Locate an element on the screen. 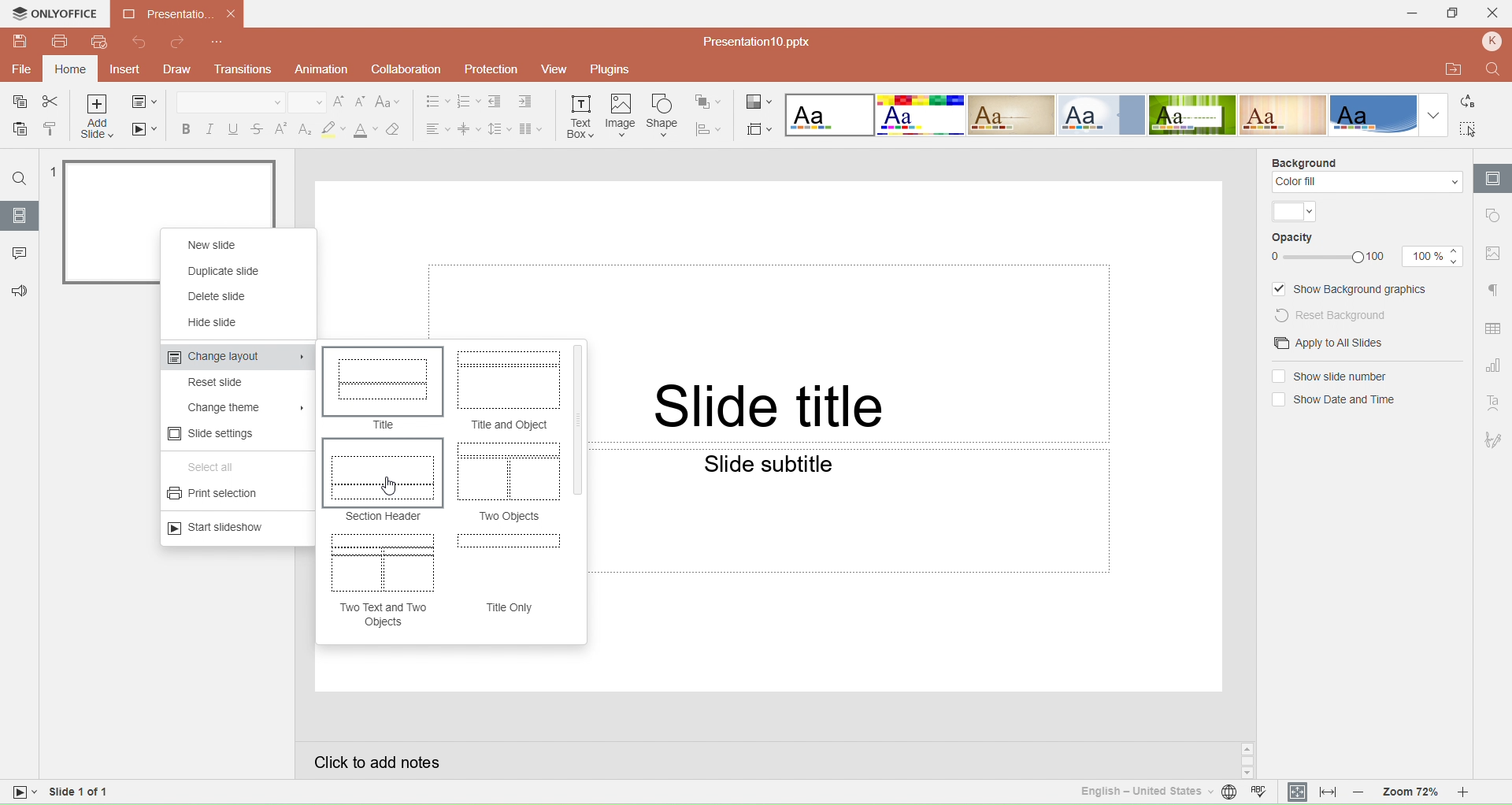 The image size is (1512, 805). Protection is located at coordinates (487, 69).